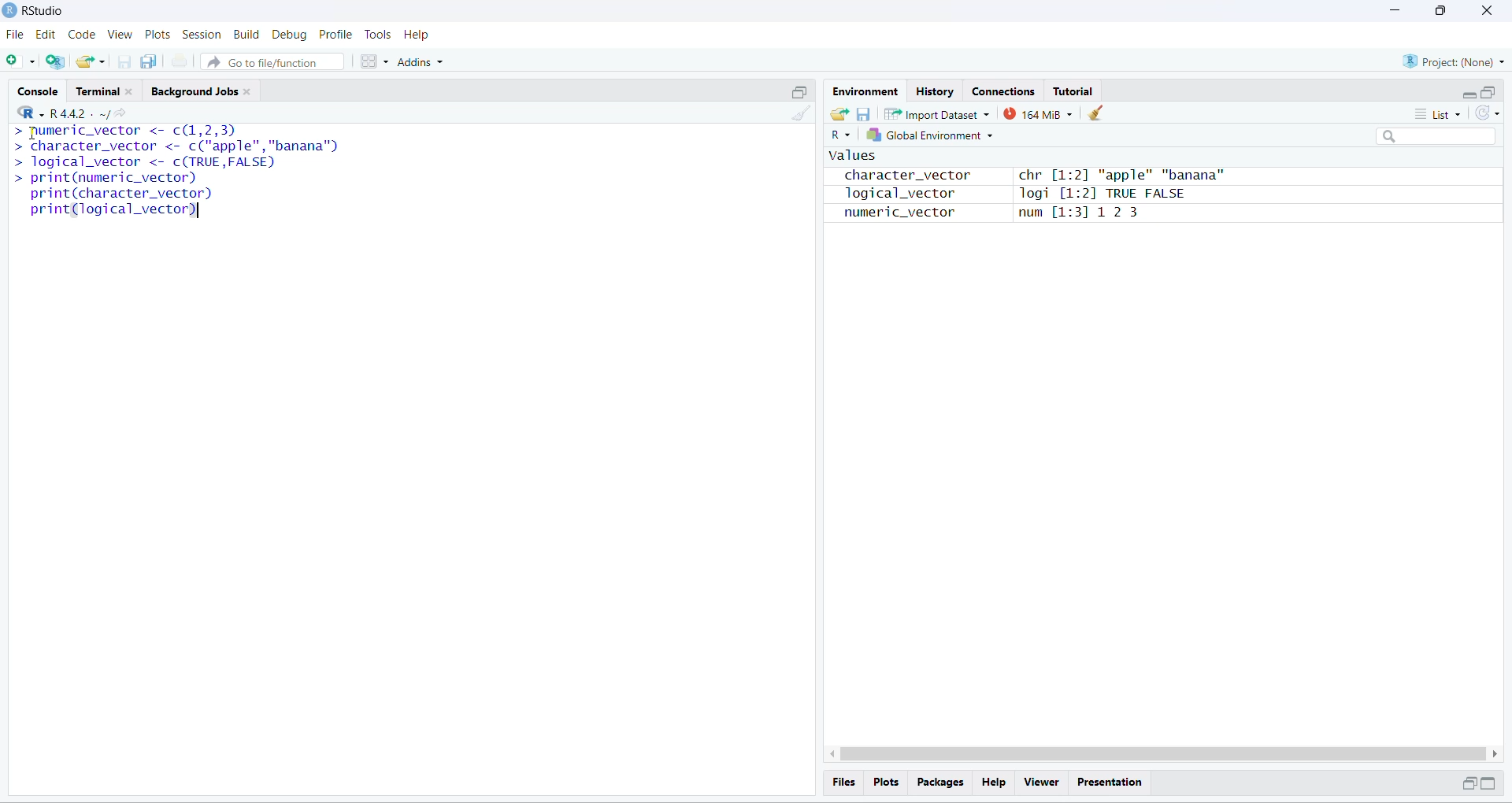  What do you see at coordinates (1438, 137) in the screenshot?
I see `search` at bounding box center [1438, 137].